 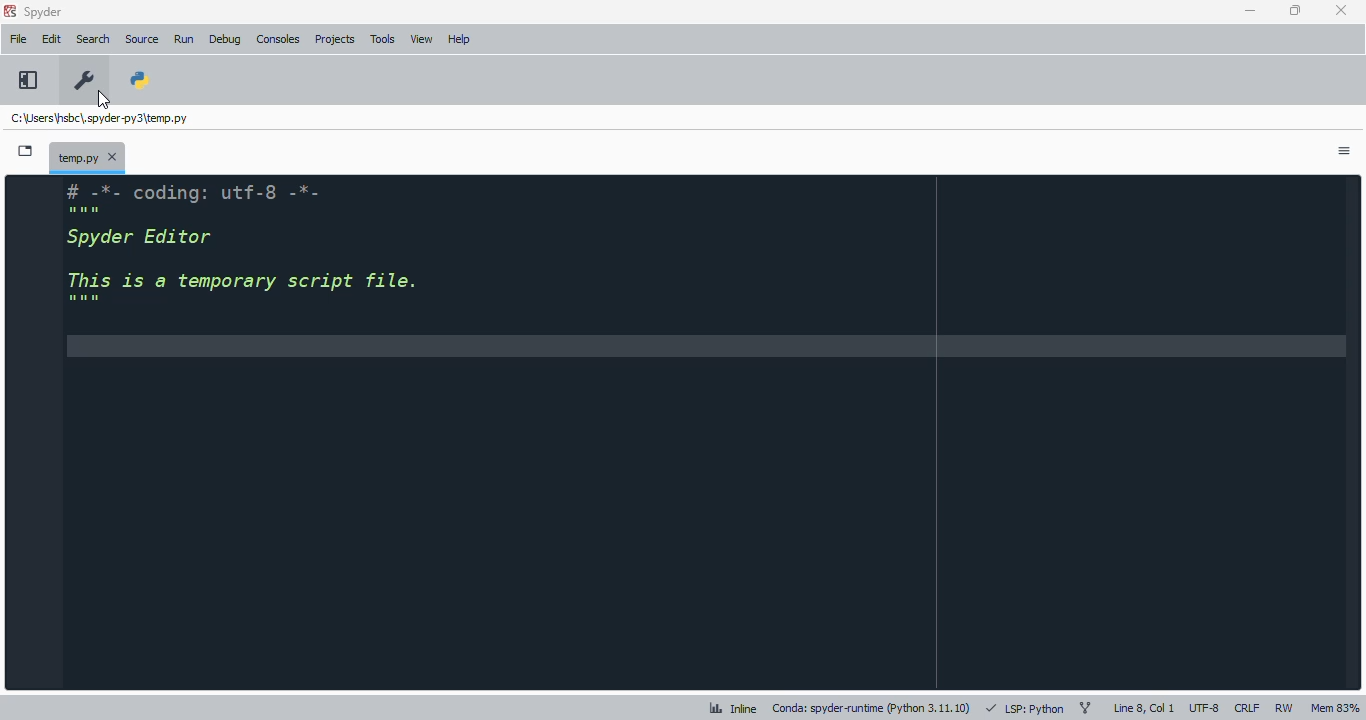 What do you see at coordinates (86, 157) in the screenshot?
I see `temporary file` at bounding box center [86, 157].